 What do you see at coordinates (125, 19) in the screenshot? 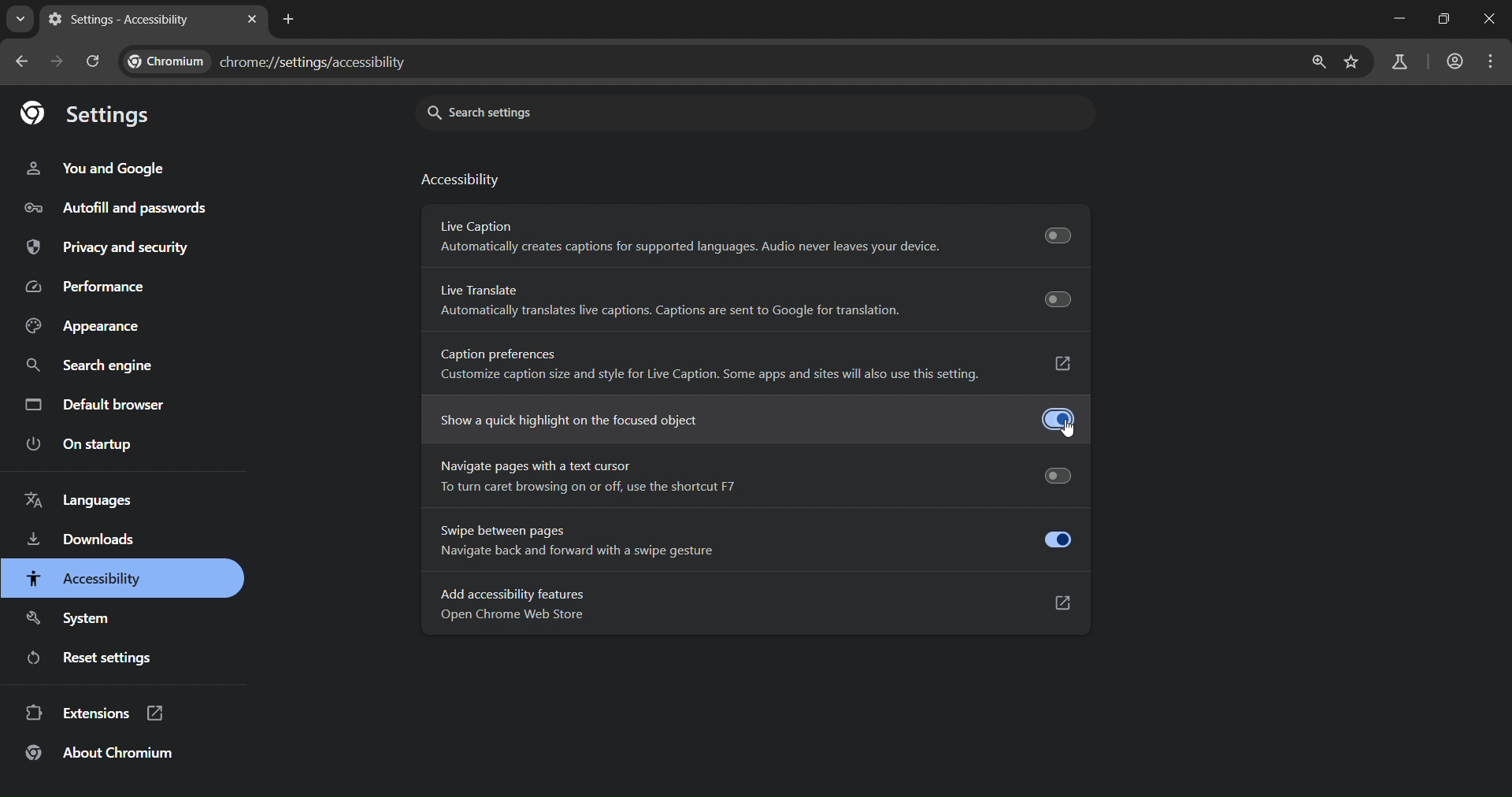
I see `settings - accessibility` at bounding box center [125, 19].